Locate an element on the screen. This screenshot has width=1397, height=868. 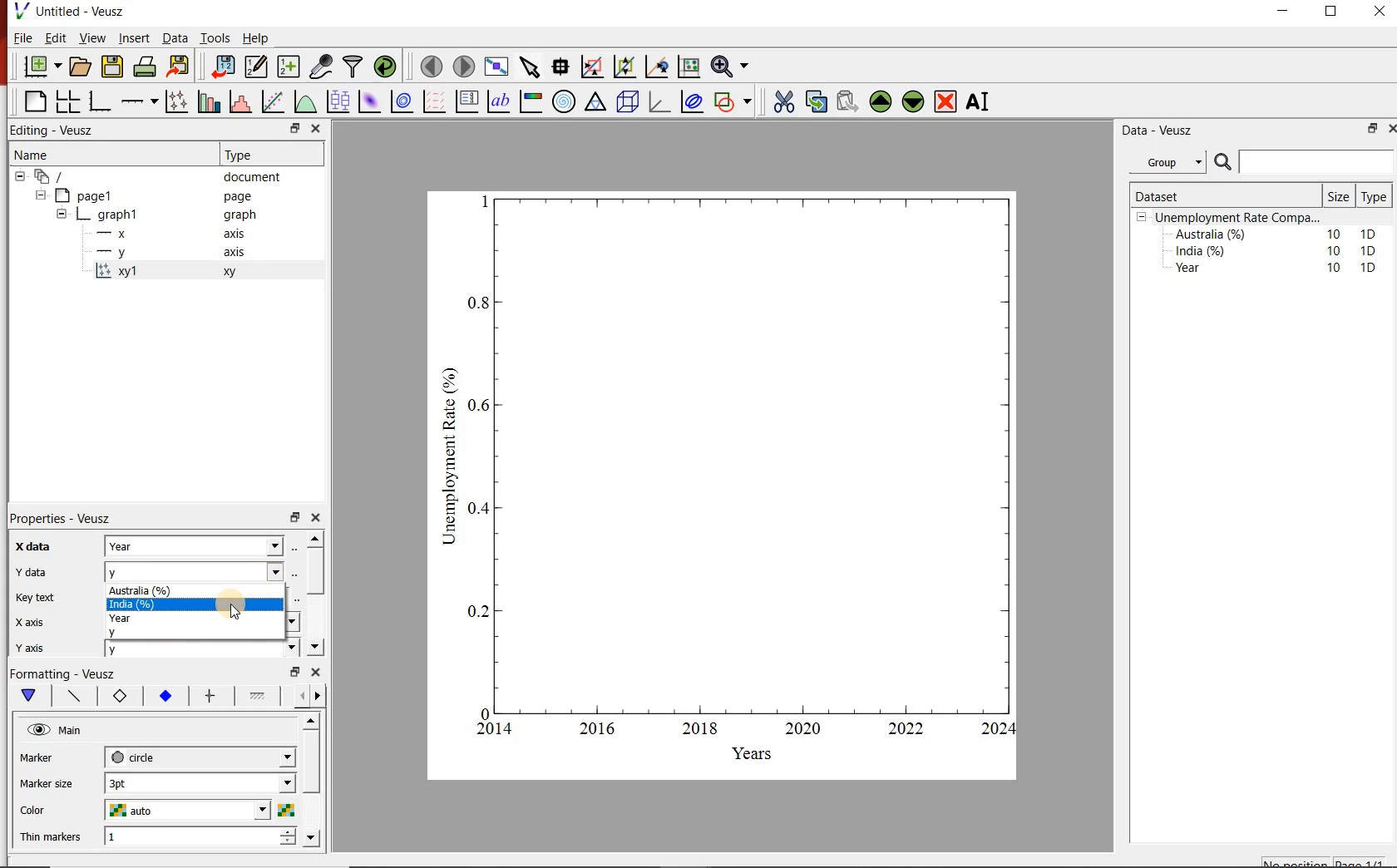
View is located at coordinates (91, 38).